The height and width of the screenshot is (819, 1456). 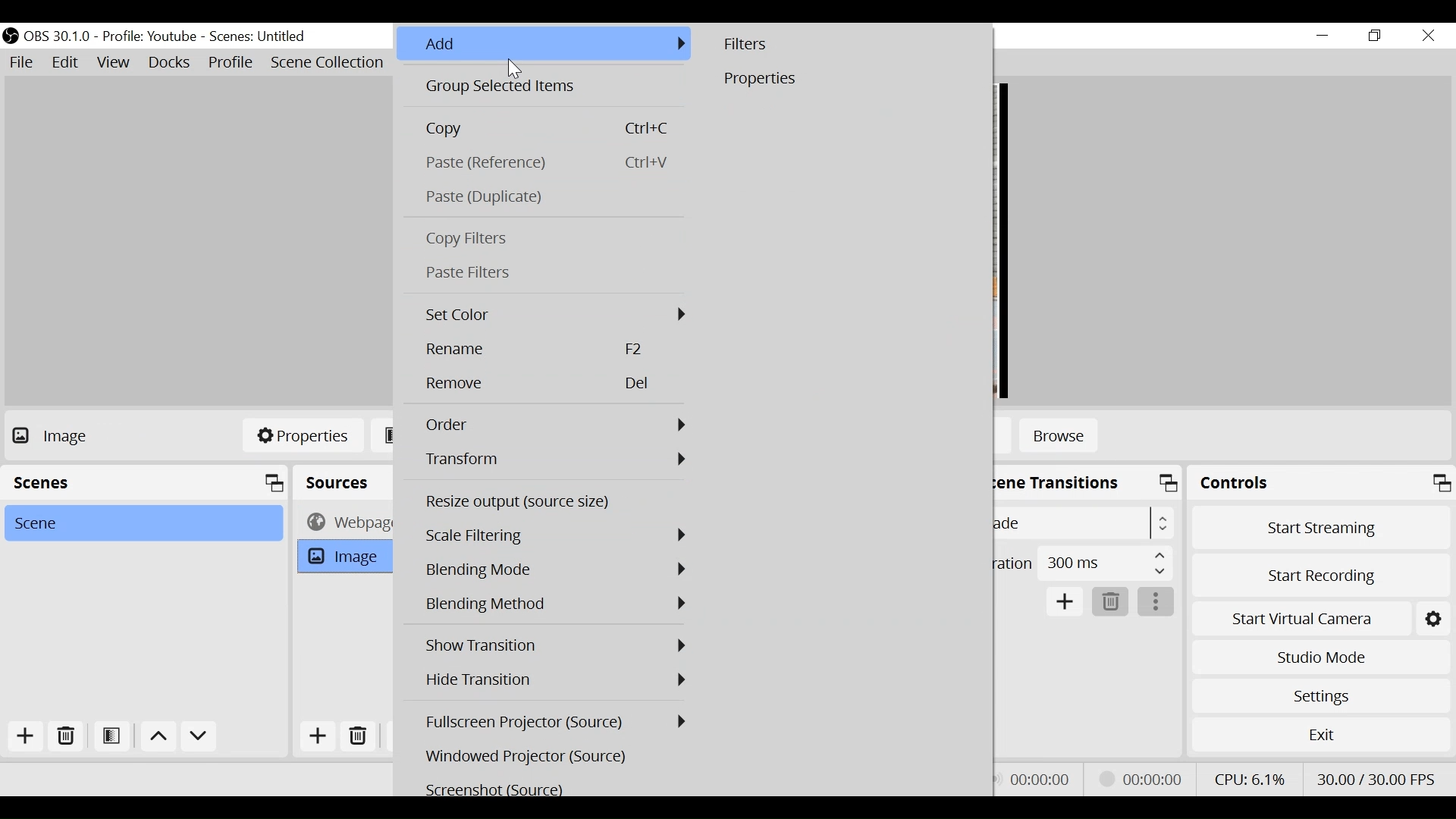 What do you see at coordinates (1322, 36) in the screenshot?
I see `minimize` at bounding box center [1322, 36].